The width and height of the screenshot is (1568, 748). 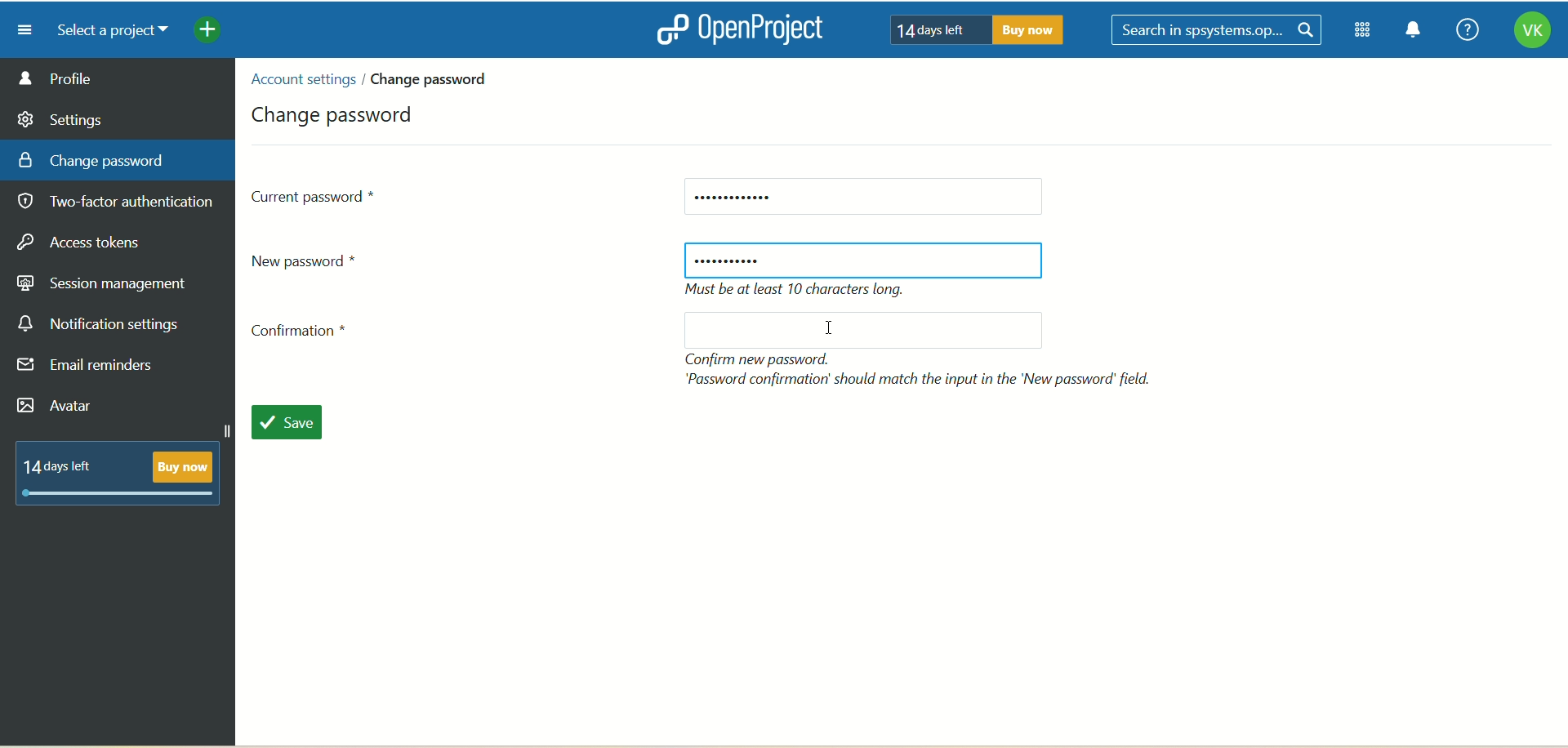 What do you see at coordinates (1219, 31) in the screenshot?
I see `search` at bounding box center [1219, 31].